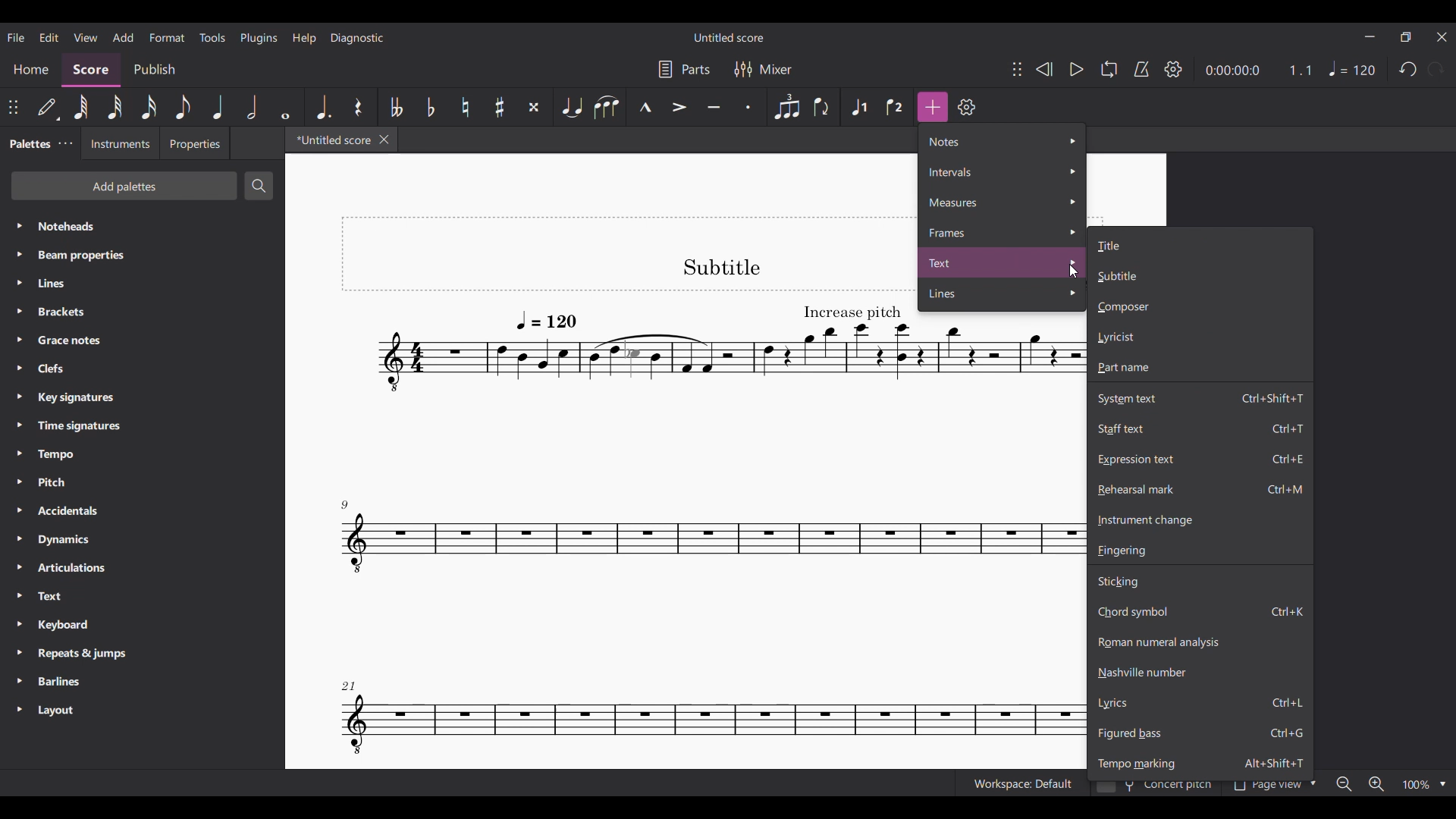 Image resolution: width=1456 pixels, height=819 pixels. I want to click on Metronome, so click(1141, 69).